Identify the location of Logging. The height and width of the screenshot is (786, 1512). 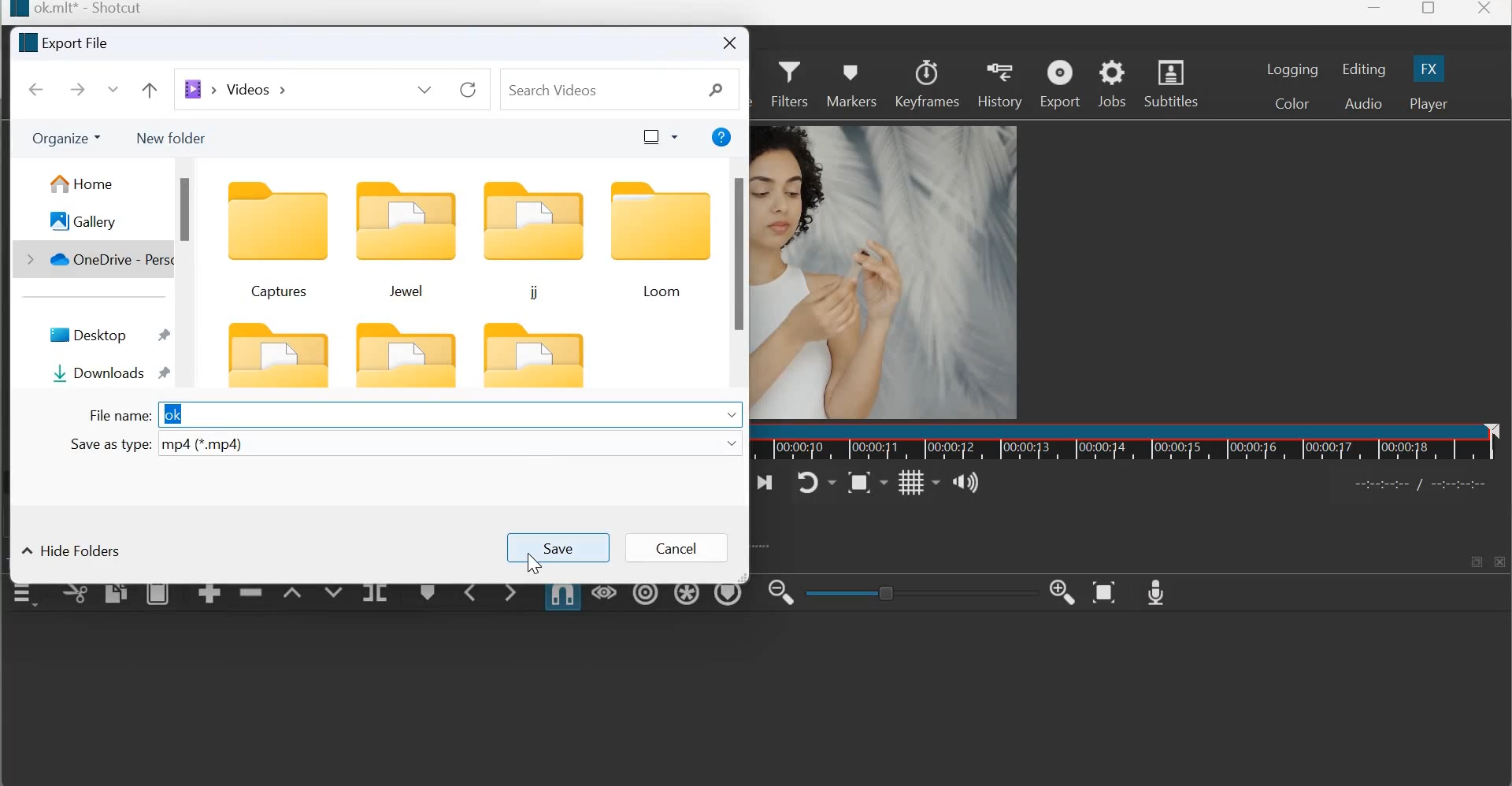
(1293, 69).